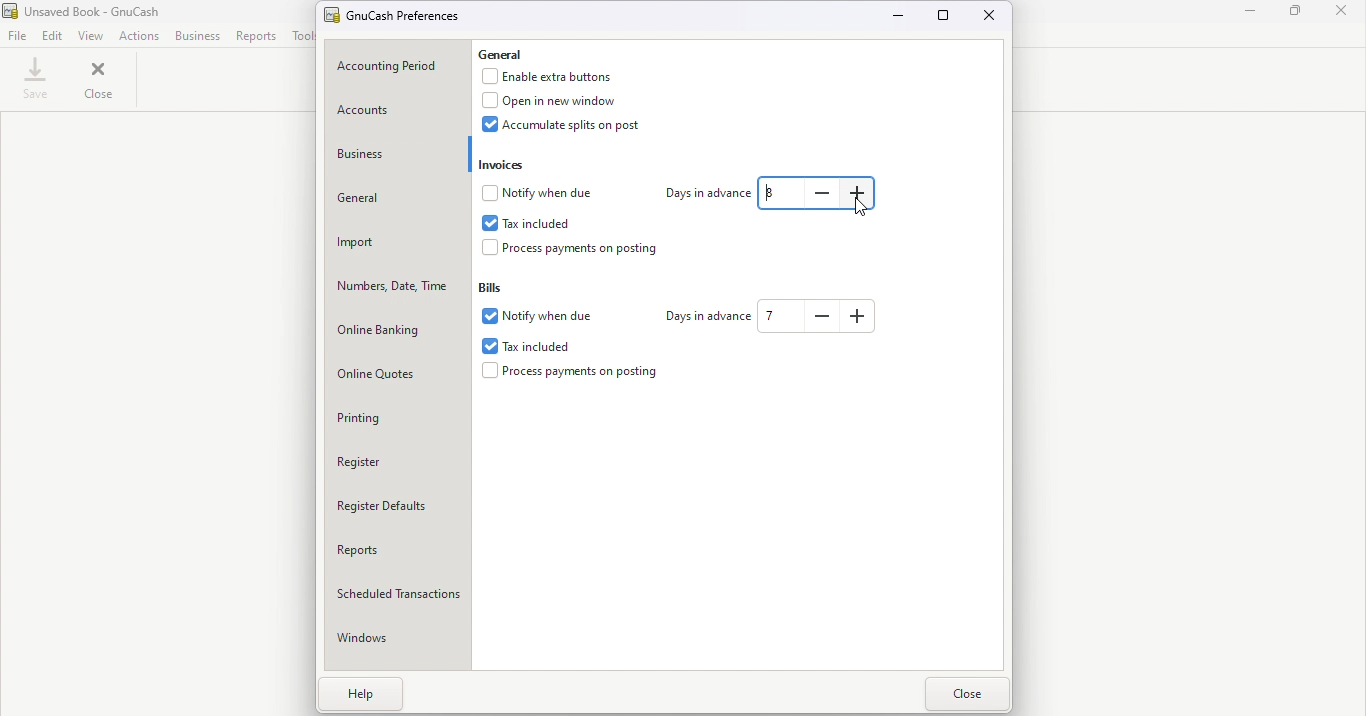 This screenshot has width=1366, height=716. I want to click on Bills, so click(497, 286).